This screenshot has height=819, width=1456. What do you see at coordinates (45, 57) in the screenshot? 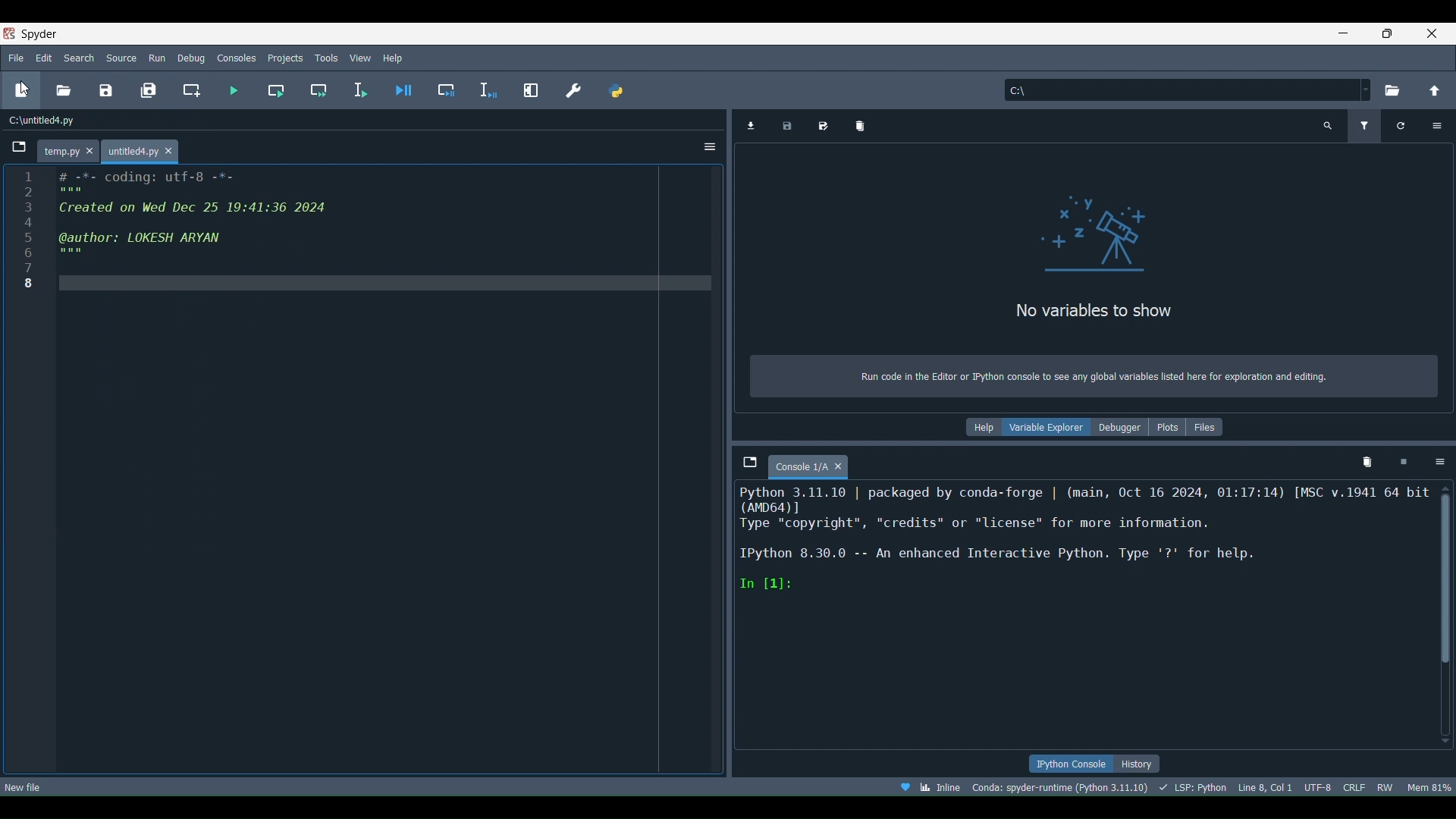
I see `Edit` at bounding box center [45, 57].